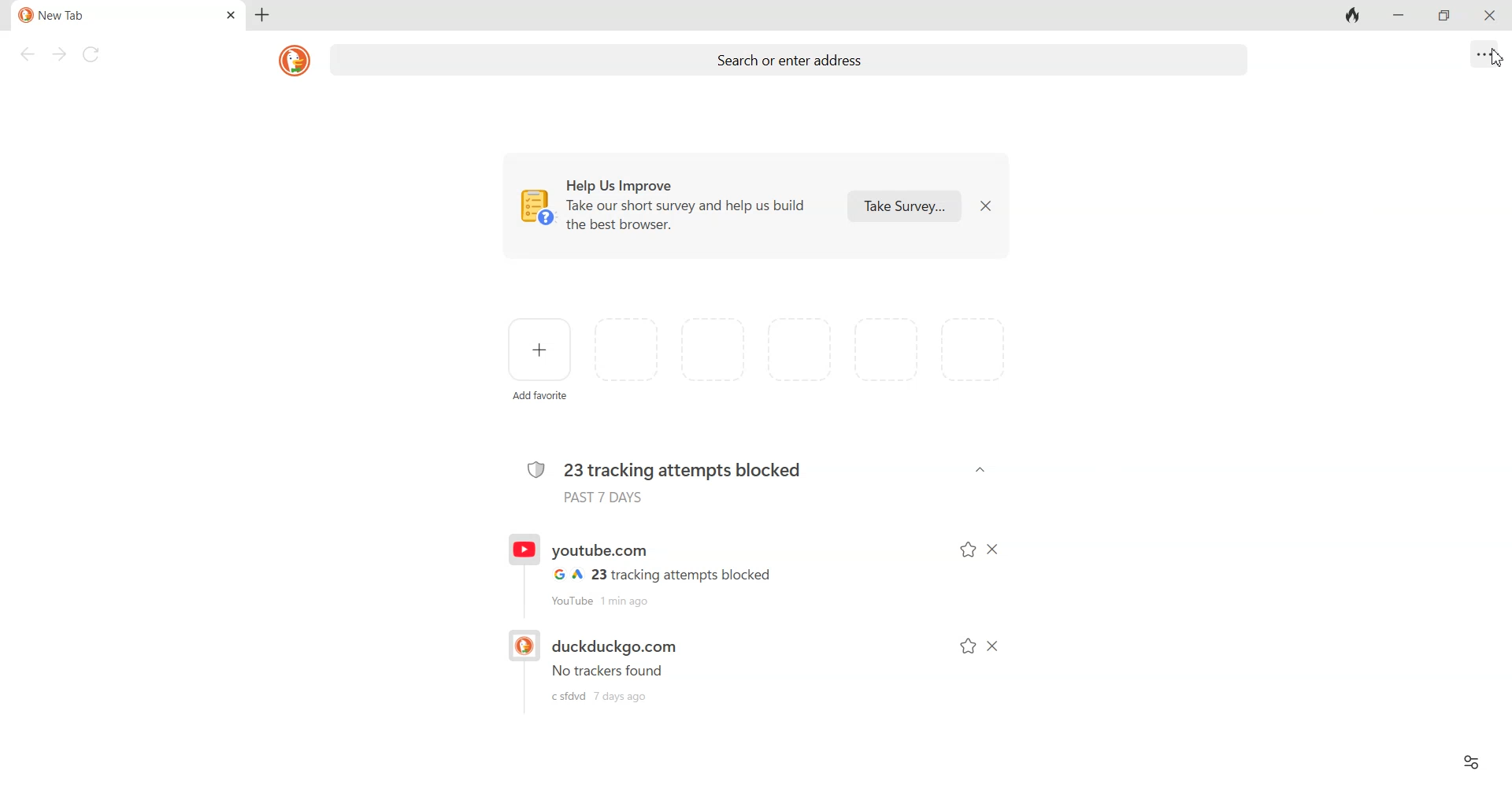 Image resolution: width=1512 pixels, height=803 pixels. I want to click on Fire button, so click(1353, 16).